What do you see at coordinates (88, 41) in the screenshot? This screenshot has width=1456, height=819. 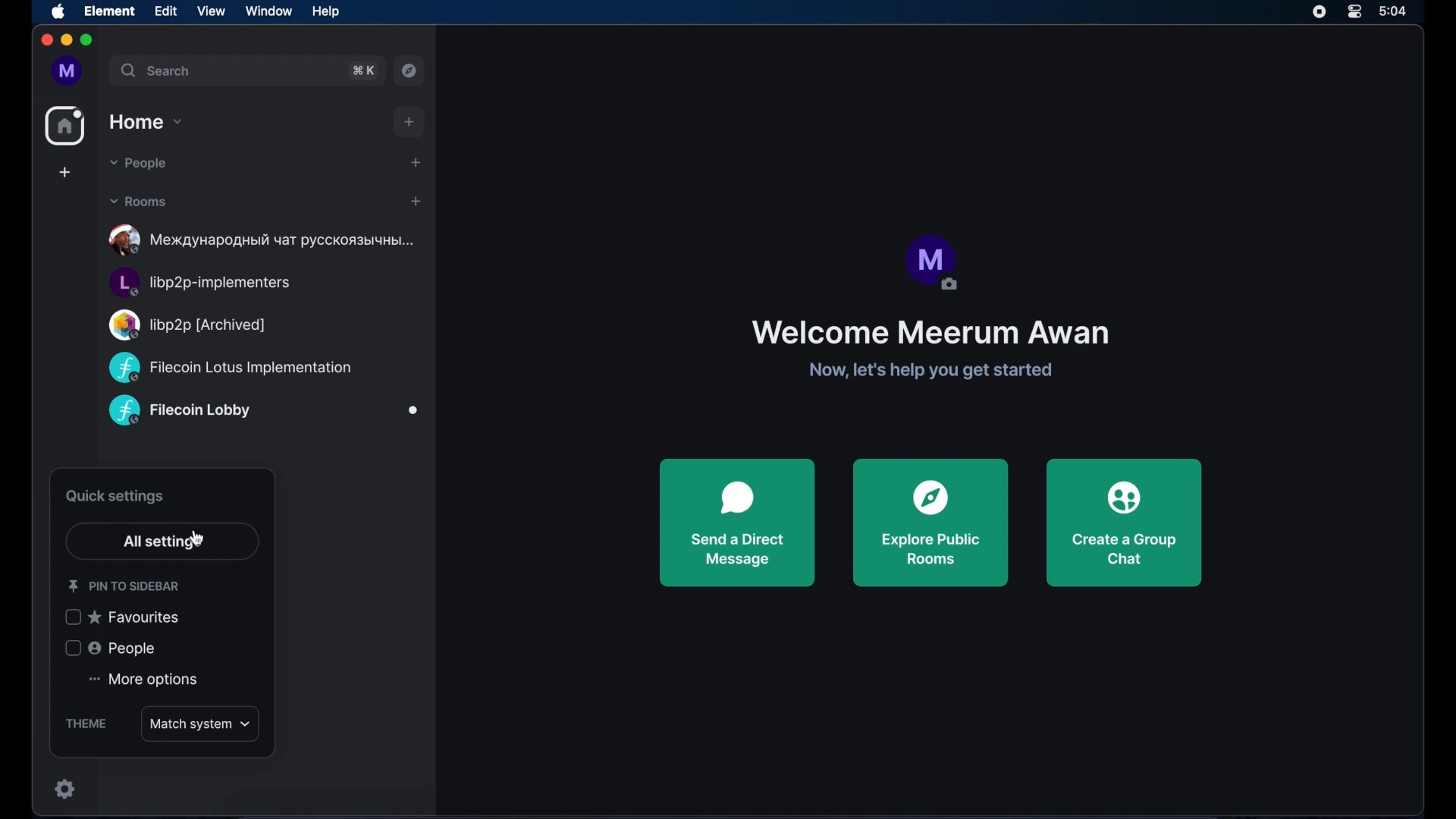 I see `maximize` at bounding box center [88, 41].